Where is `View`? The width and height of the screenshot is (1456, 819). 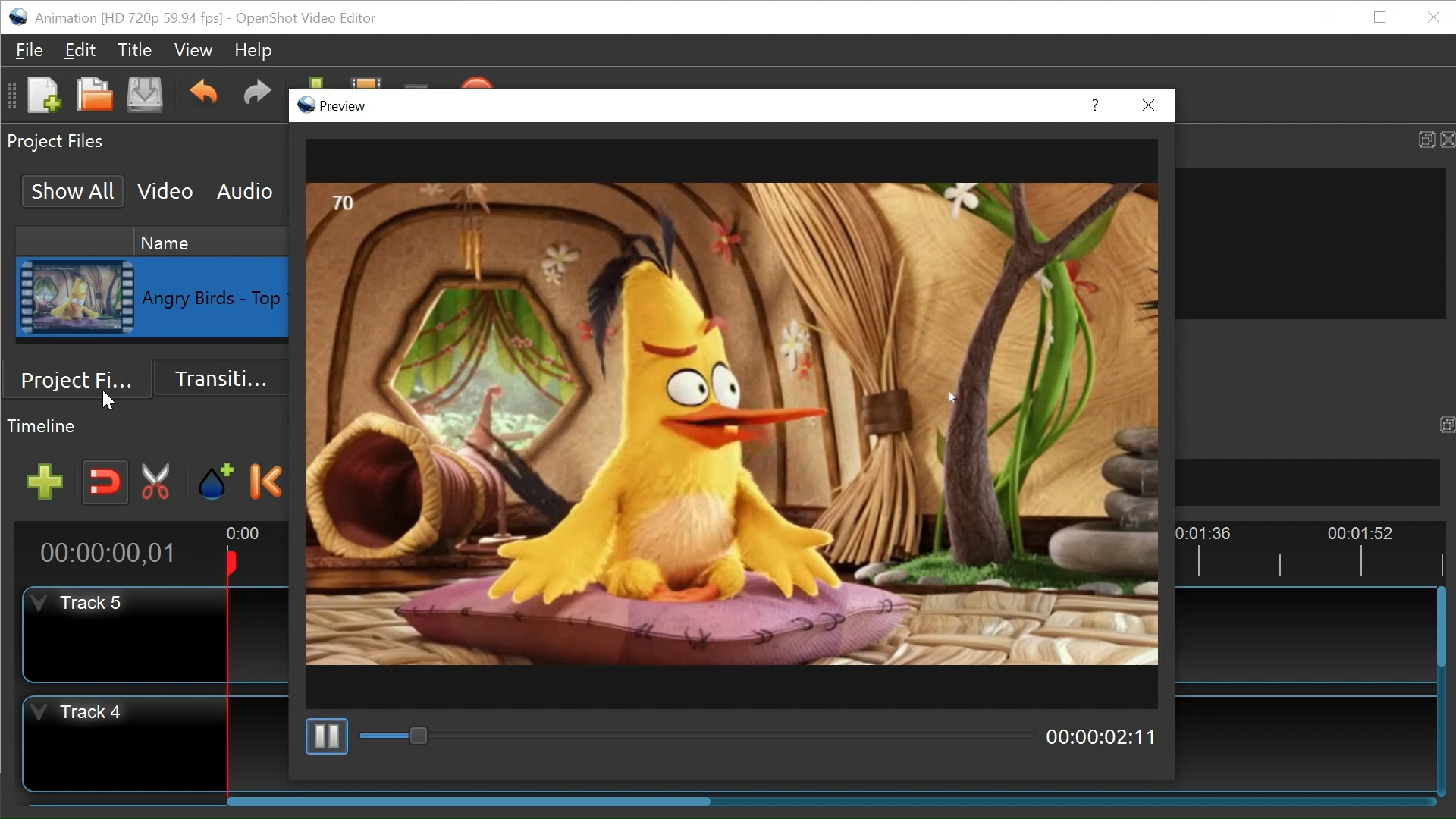 View is located at coordinates (190, 50).